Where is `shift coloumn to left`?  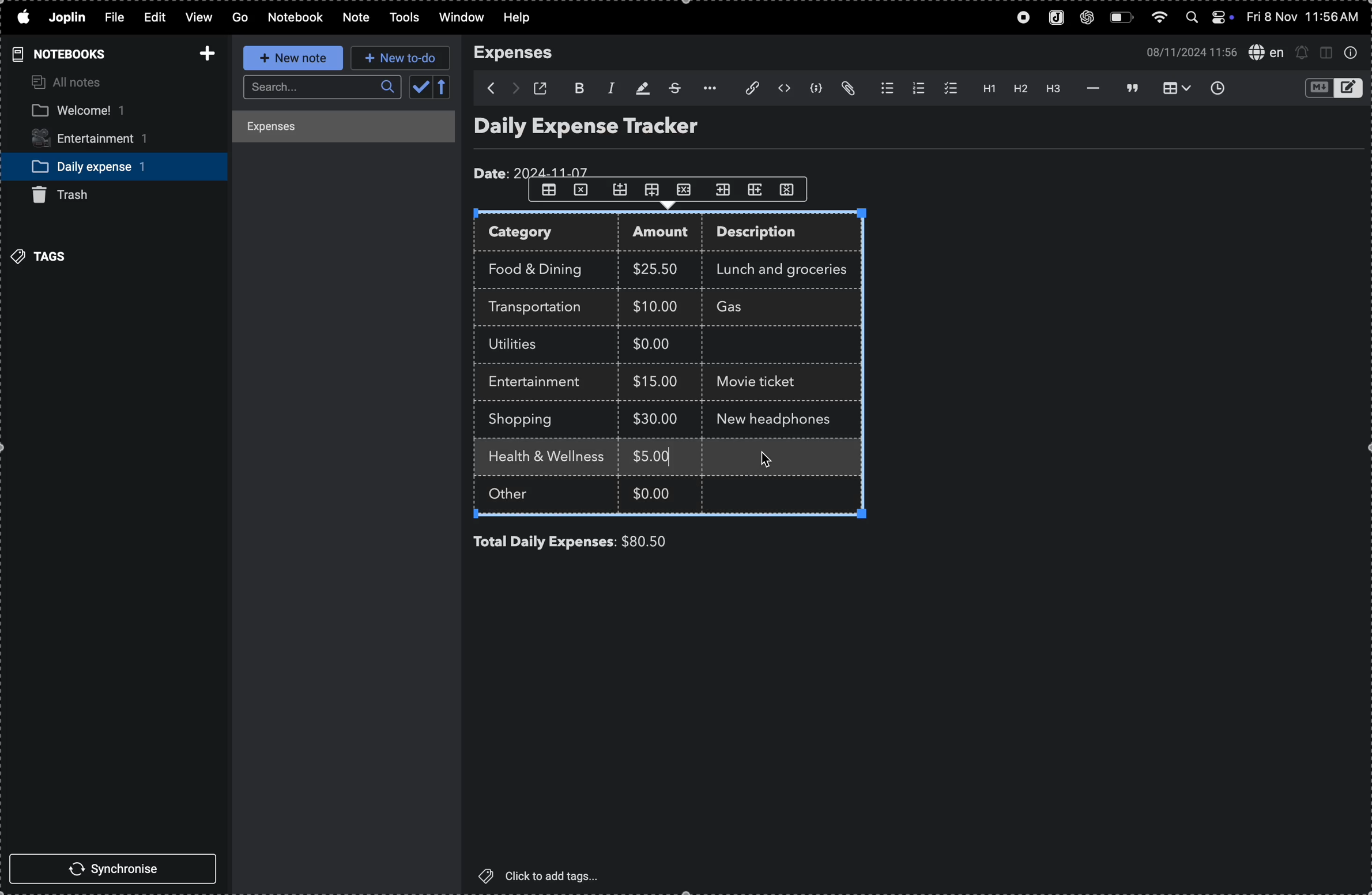
shift coloumn to left is located at coordinates (756, 189).